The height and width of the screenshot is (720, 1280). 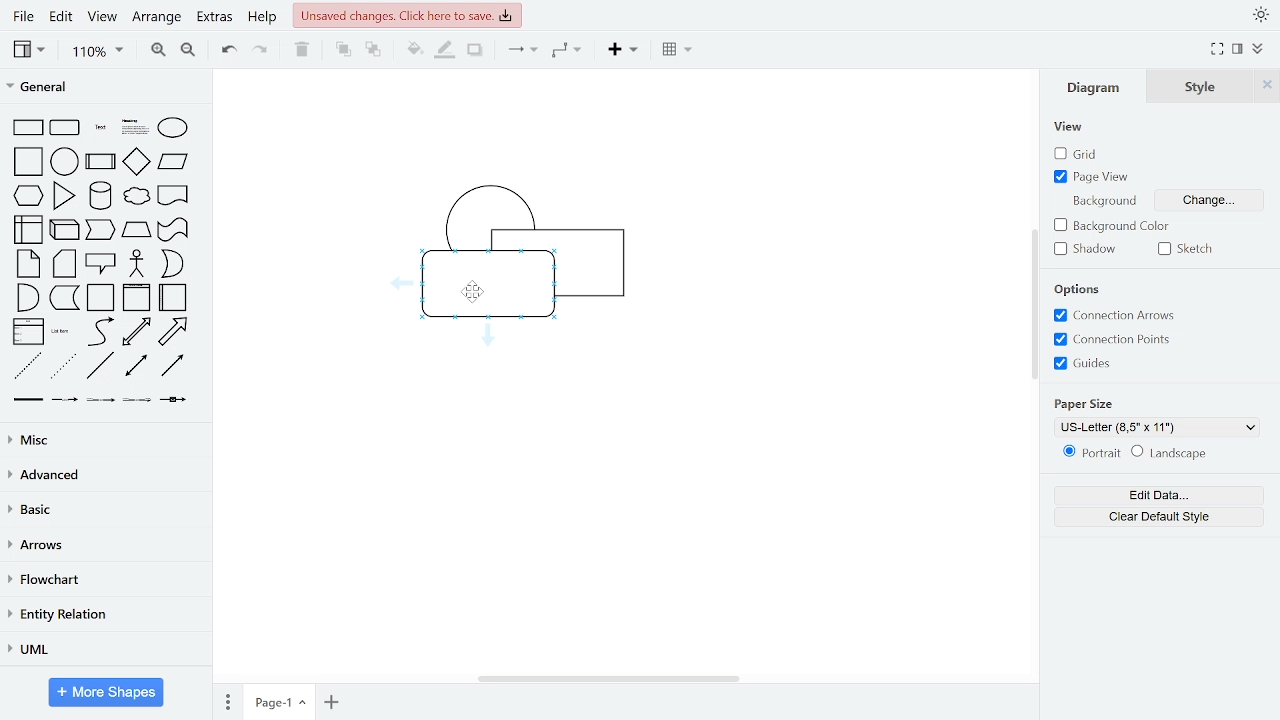 What do you see at coordinates (136, 263) in the screenshot?
I see `actor` at bounding box center [136, 263].